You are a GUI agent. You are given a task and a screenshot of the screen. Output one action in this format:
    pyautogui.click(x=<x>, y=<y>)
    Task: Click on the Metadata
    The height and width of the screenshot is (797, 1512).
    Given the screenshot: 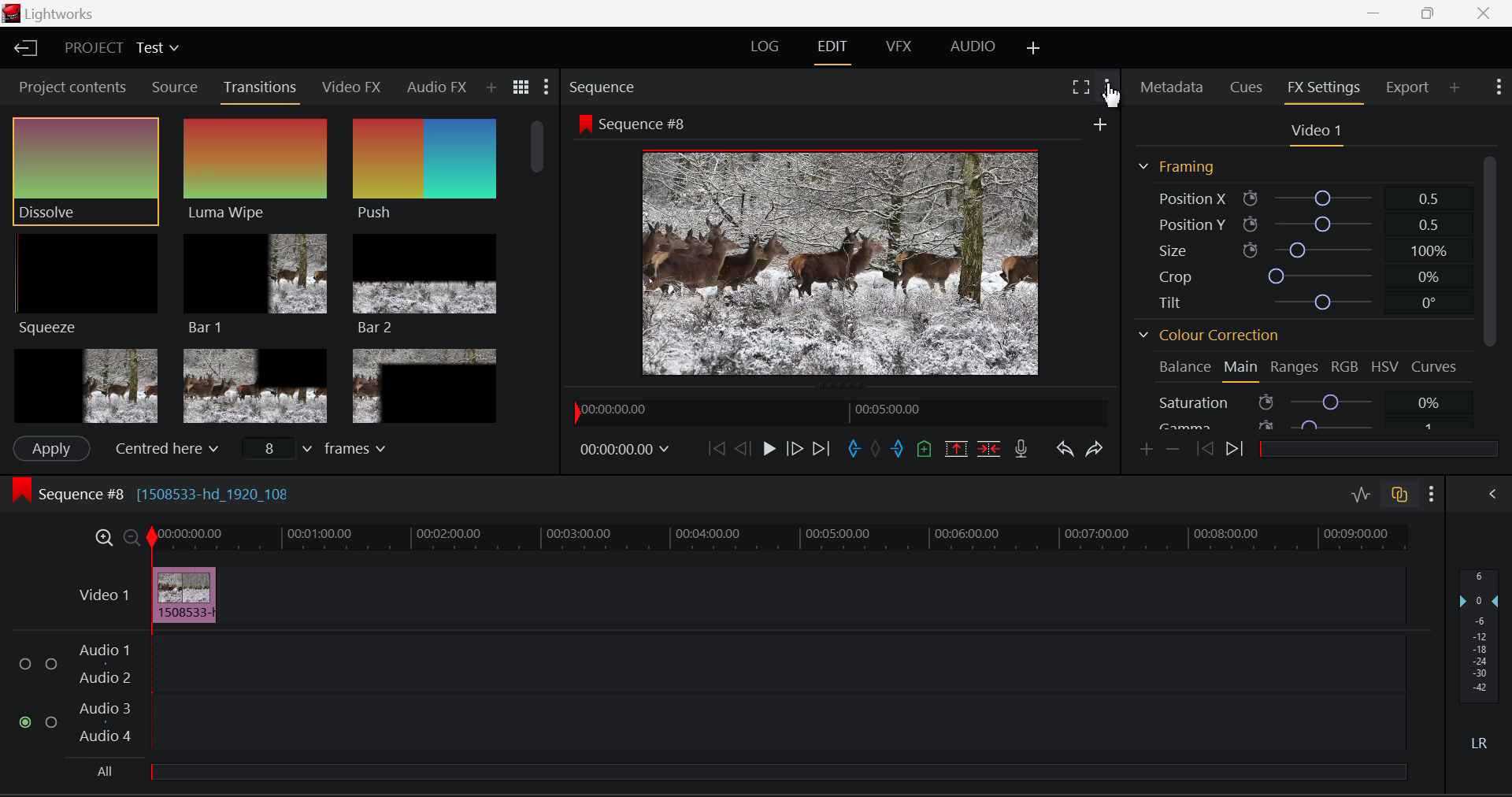 What is the action you would take?
    pyautogui.click(x=1173, y=87)
    